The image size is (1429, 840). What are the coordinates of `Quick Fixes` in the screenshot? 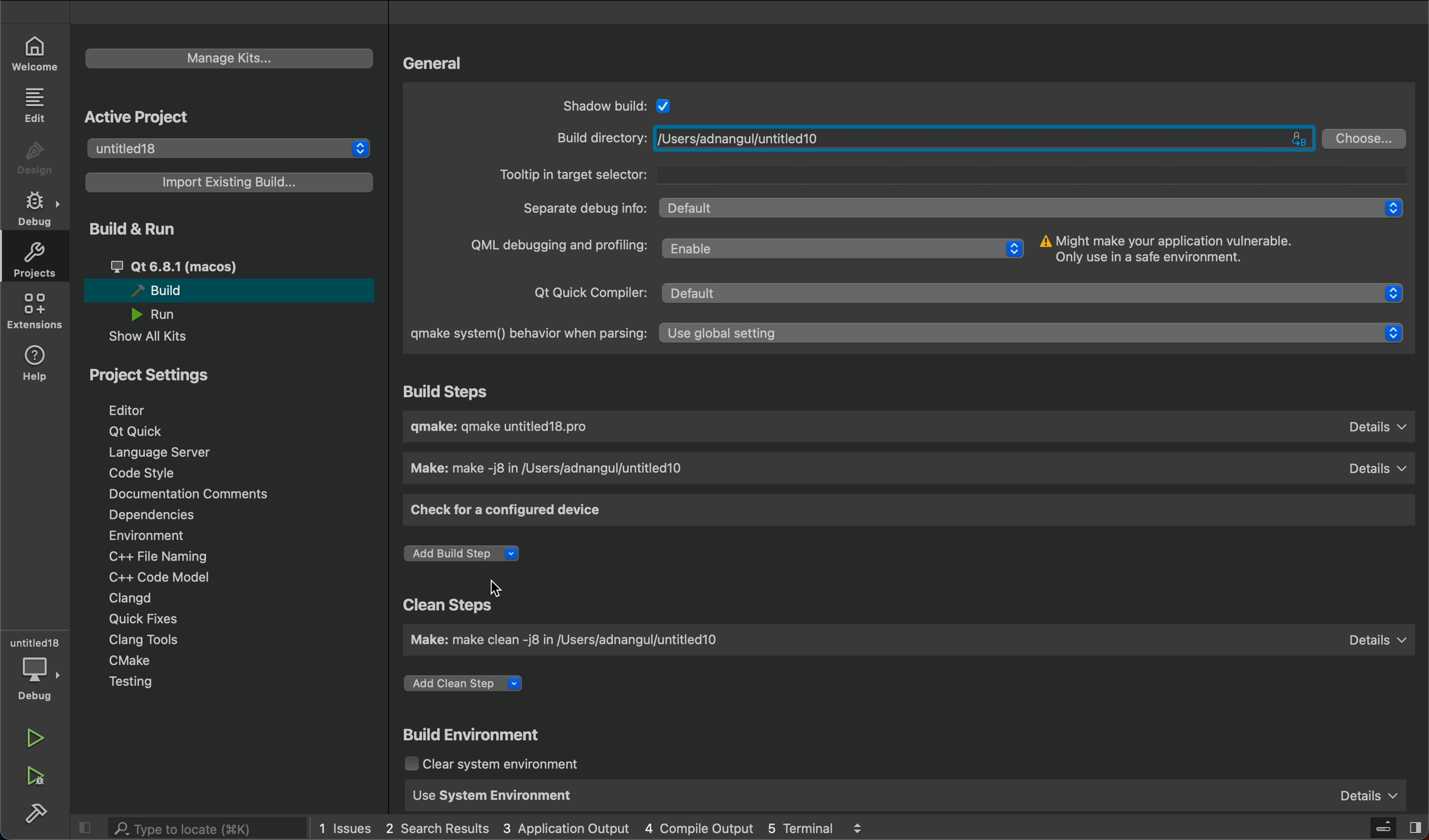 It's located at (142, 618).